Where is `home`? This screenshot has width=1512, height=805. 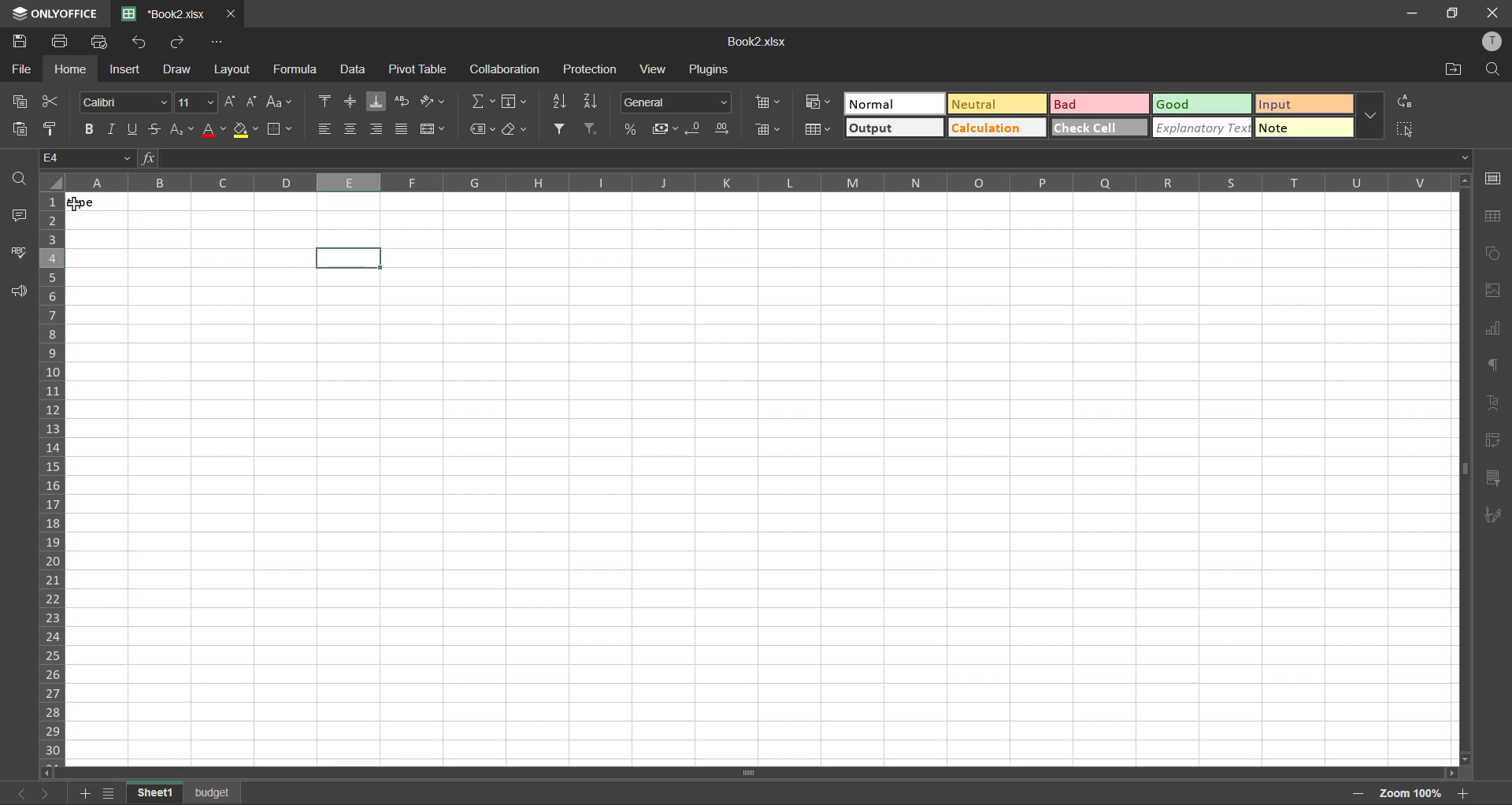 home is located at coordinates (71, 69).